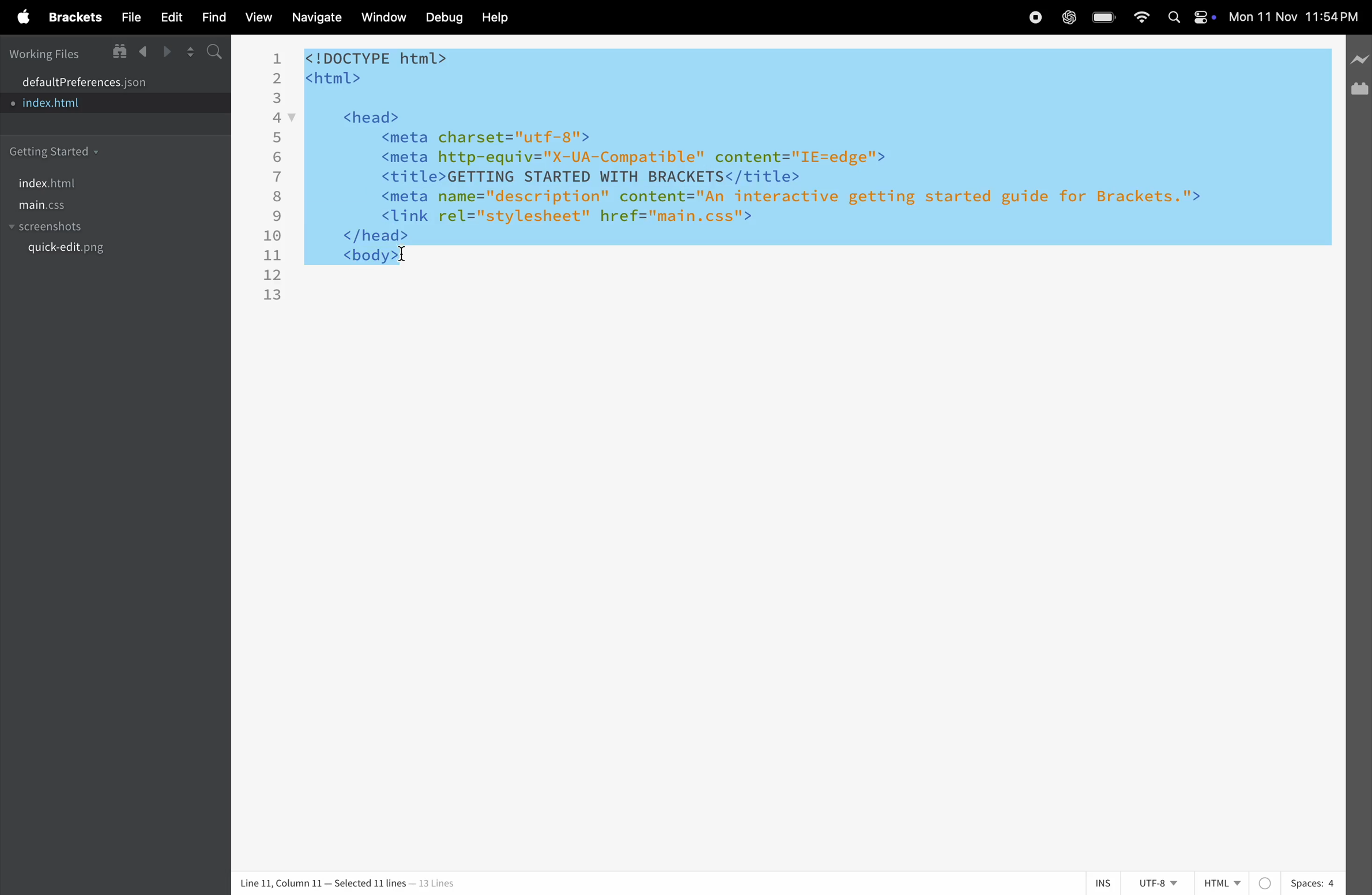 Image resolution: width=1372 pixels, height=895 pixels. Describe the element at coordinates (98, 104) in the screenshot. I see `index.html` at that location.